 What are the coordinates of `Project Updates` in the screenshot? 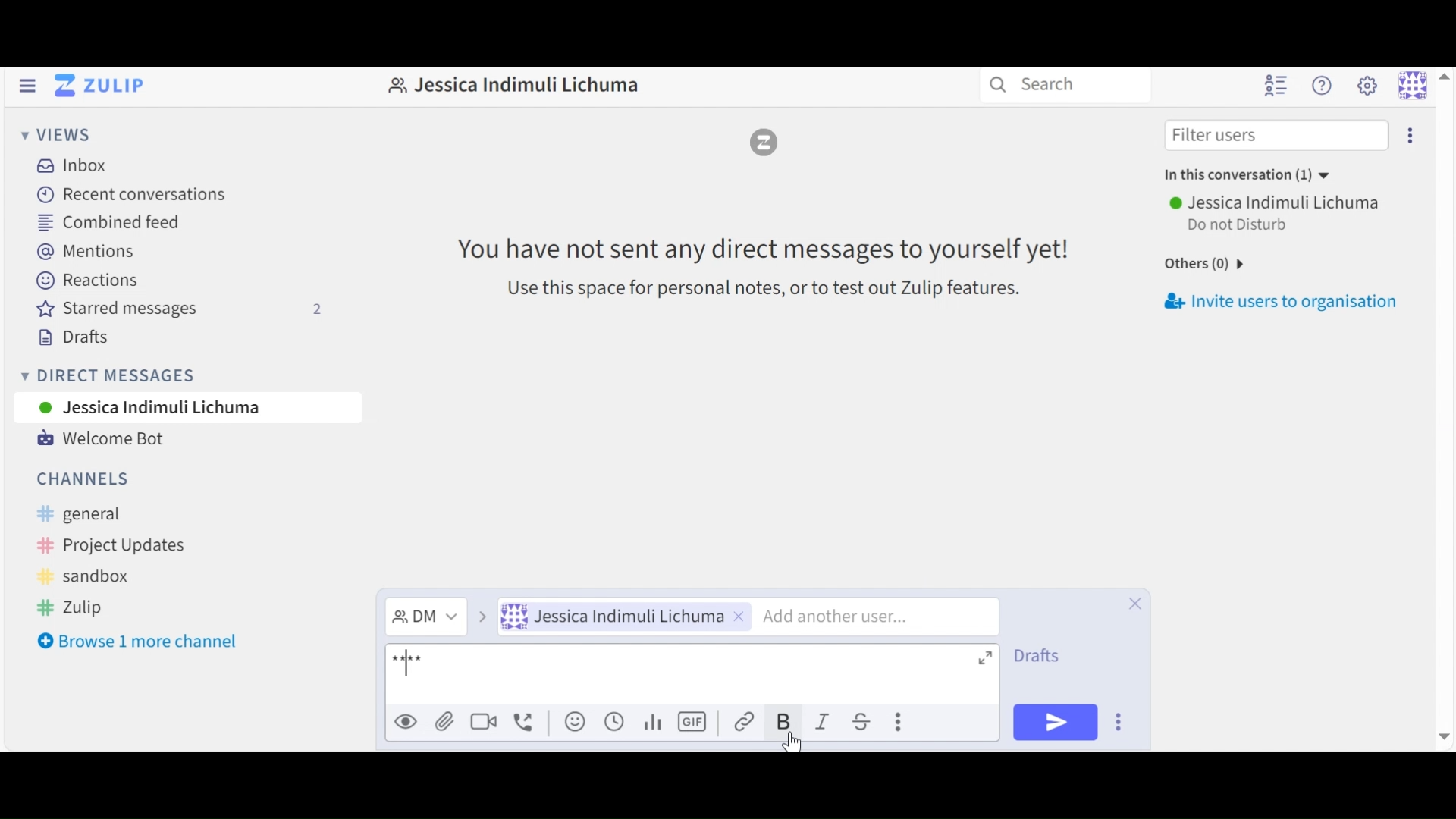 It's located at (107, 545).